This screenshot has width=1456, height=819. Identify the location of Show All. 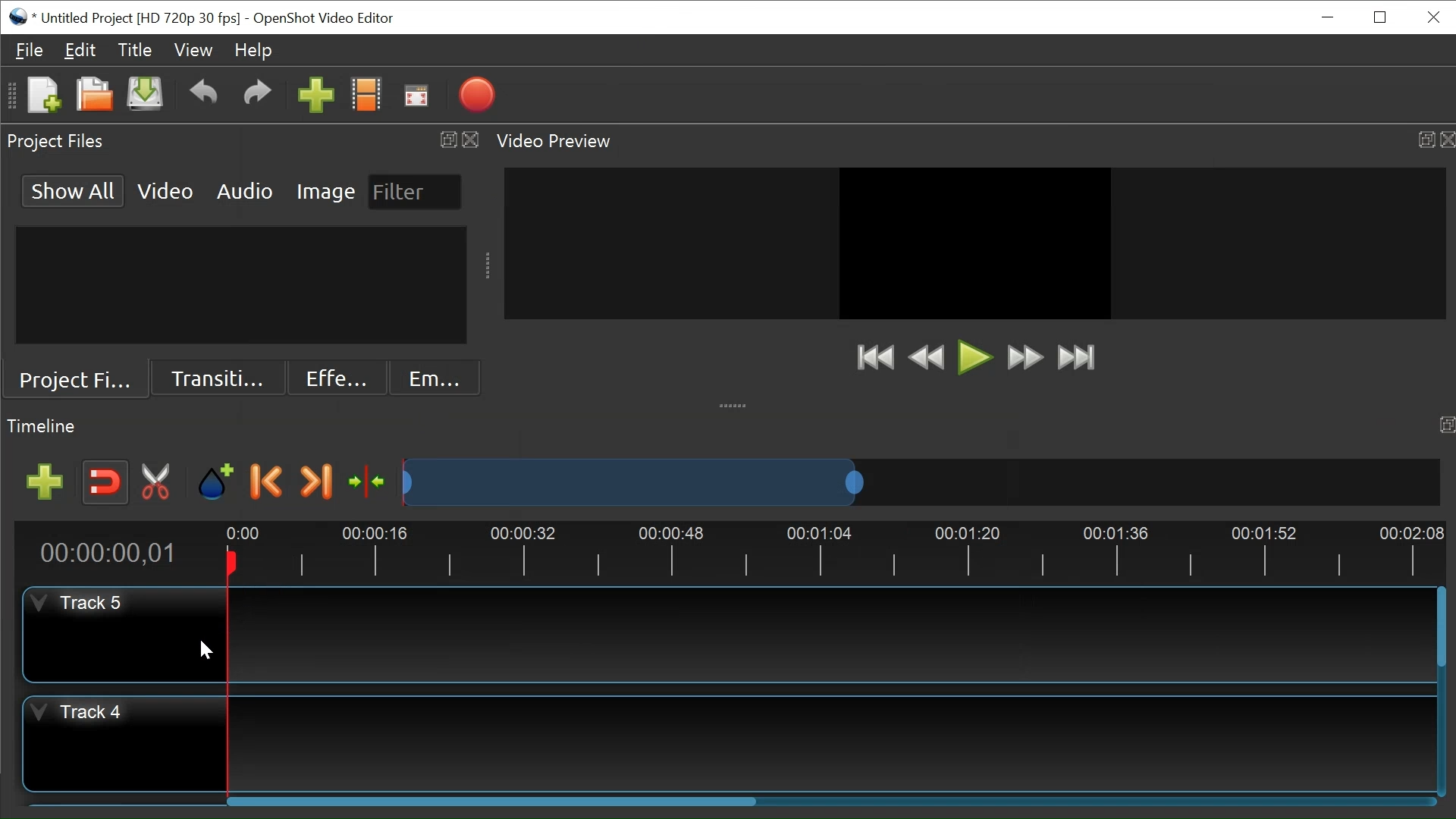
(74, 190).